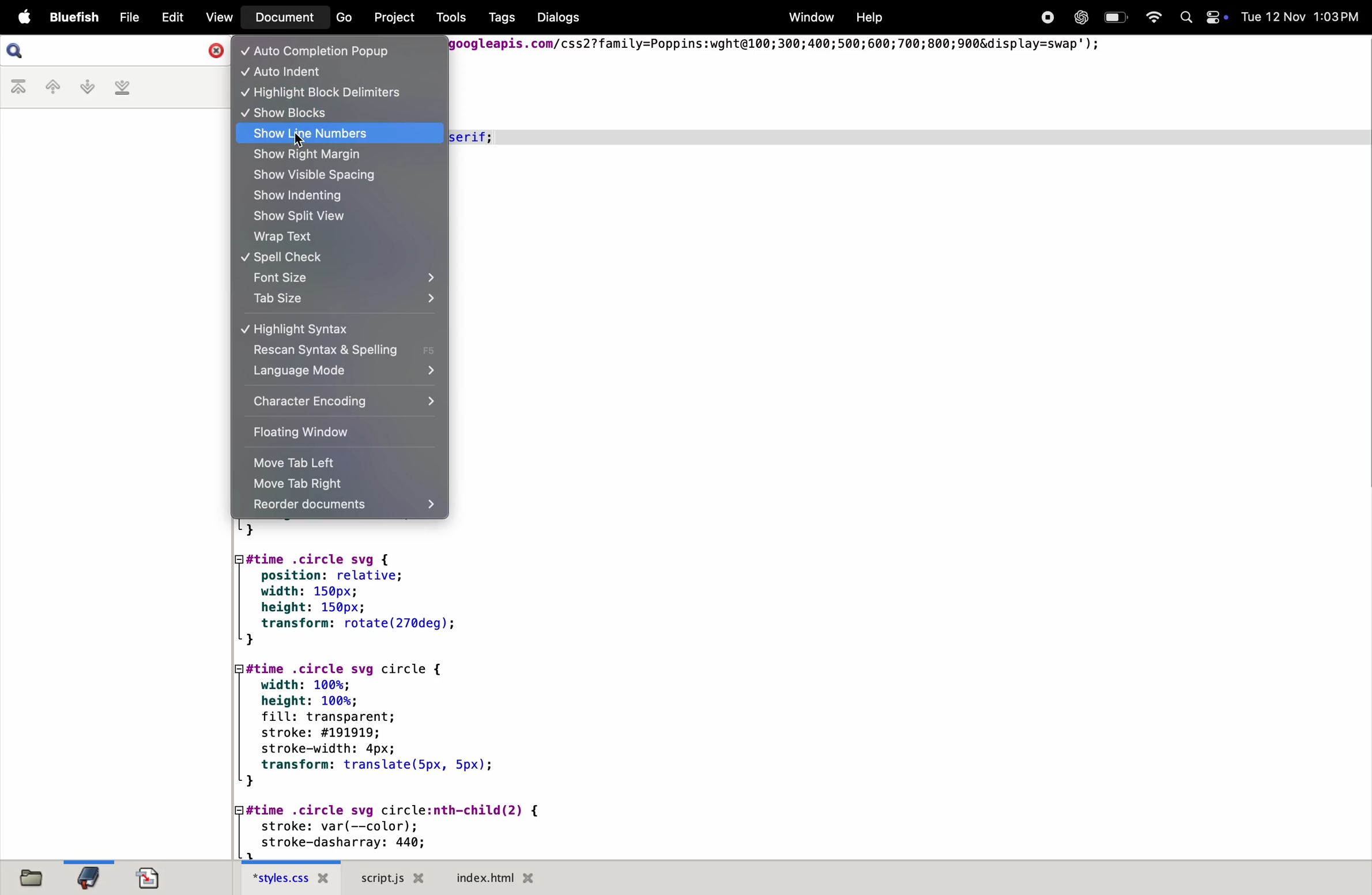  What do you see at coordinates (50, 88) in the screenshot?
I see `previous bookmark` at bounding box center [50, 88].